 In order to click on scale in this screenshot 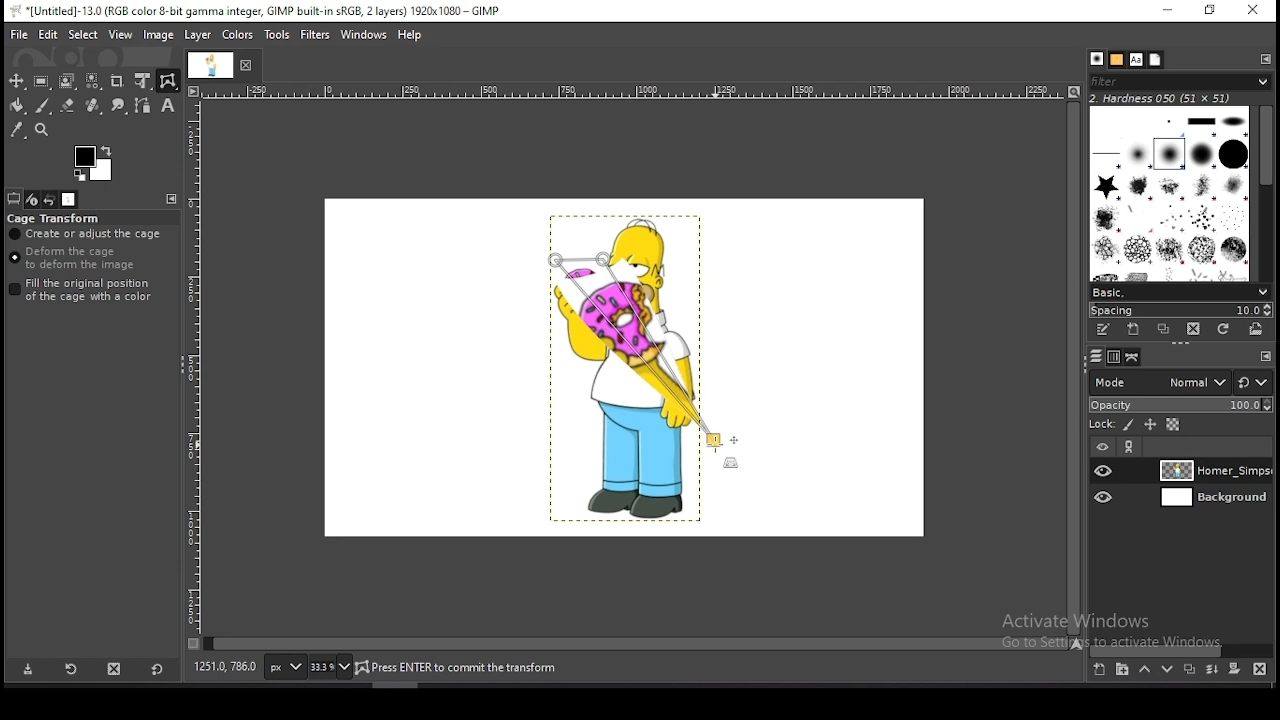, I will do `click(193, 372)`.